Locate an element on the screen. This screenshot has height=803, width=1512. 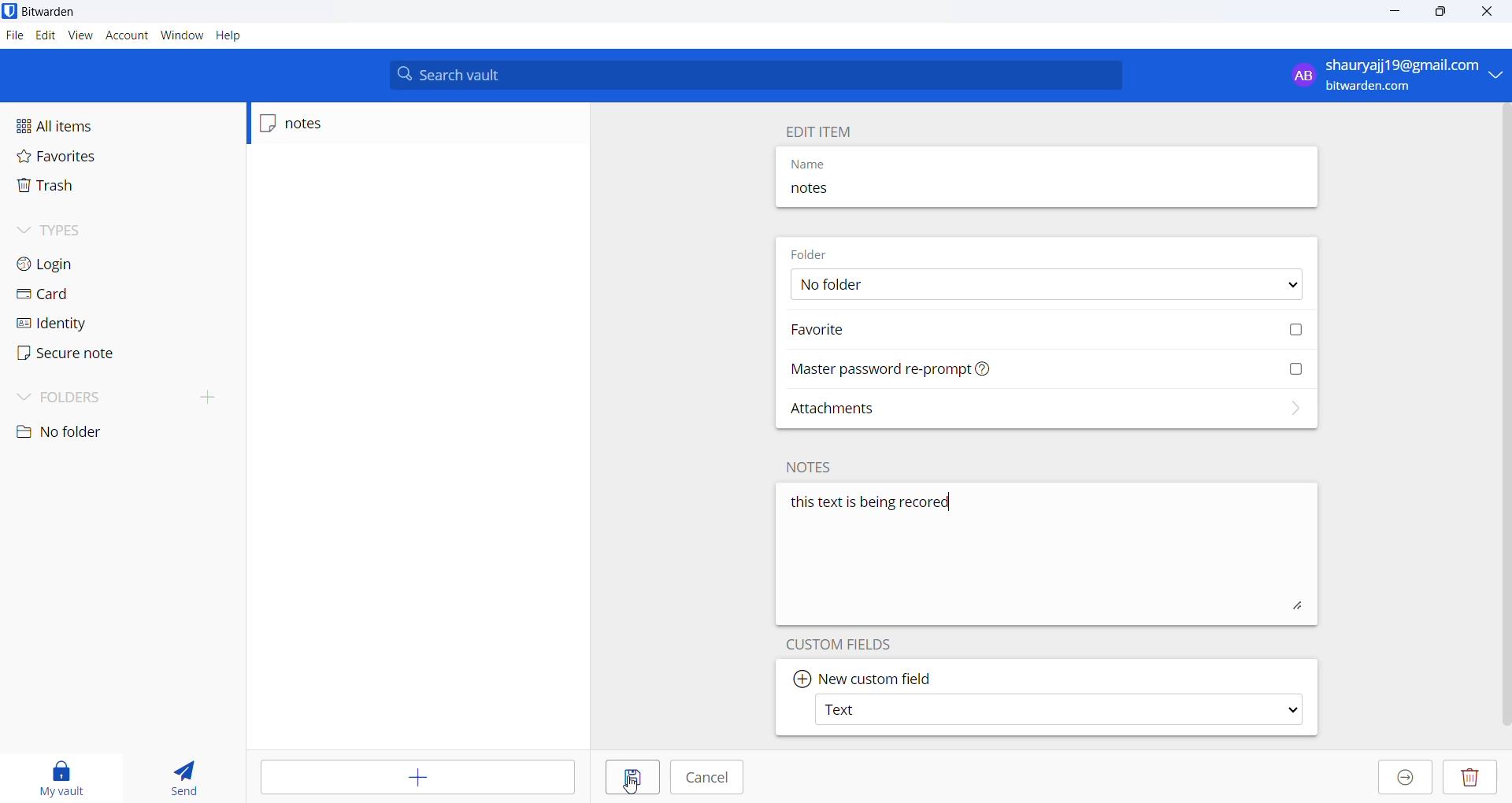
all items is located at coordinates (82, 126).